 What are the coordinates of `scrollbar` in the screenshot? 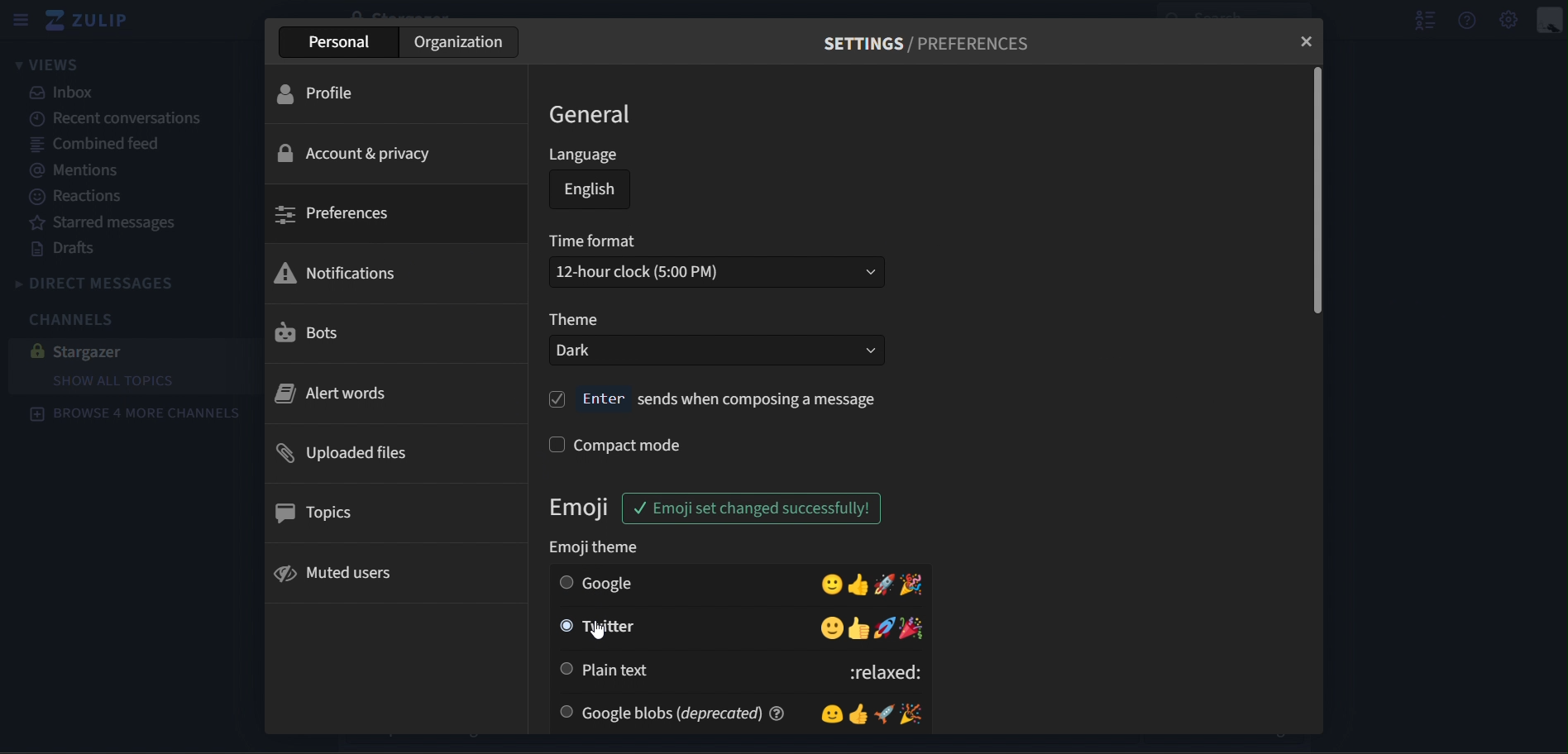 It's located at (1316, 193).